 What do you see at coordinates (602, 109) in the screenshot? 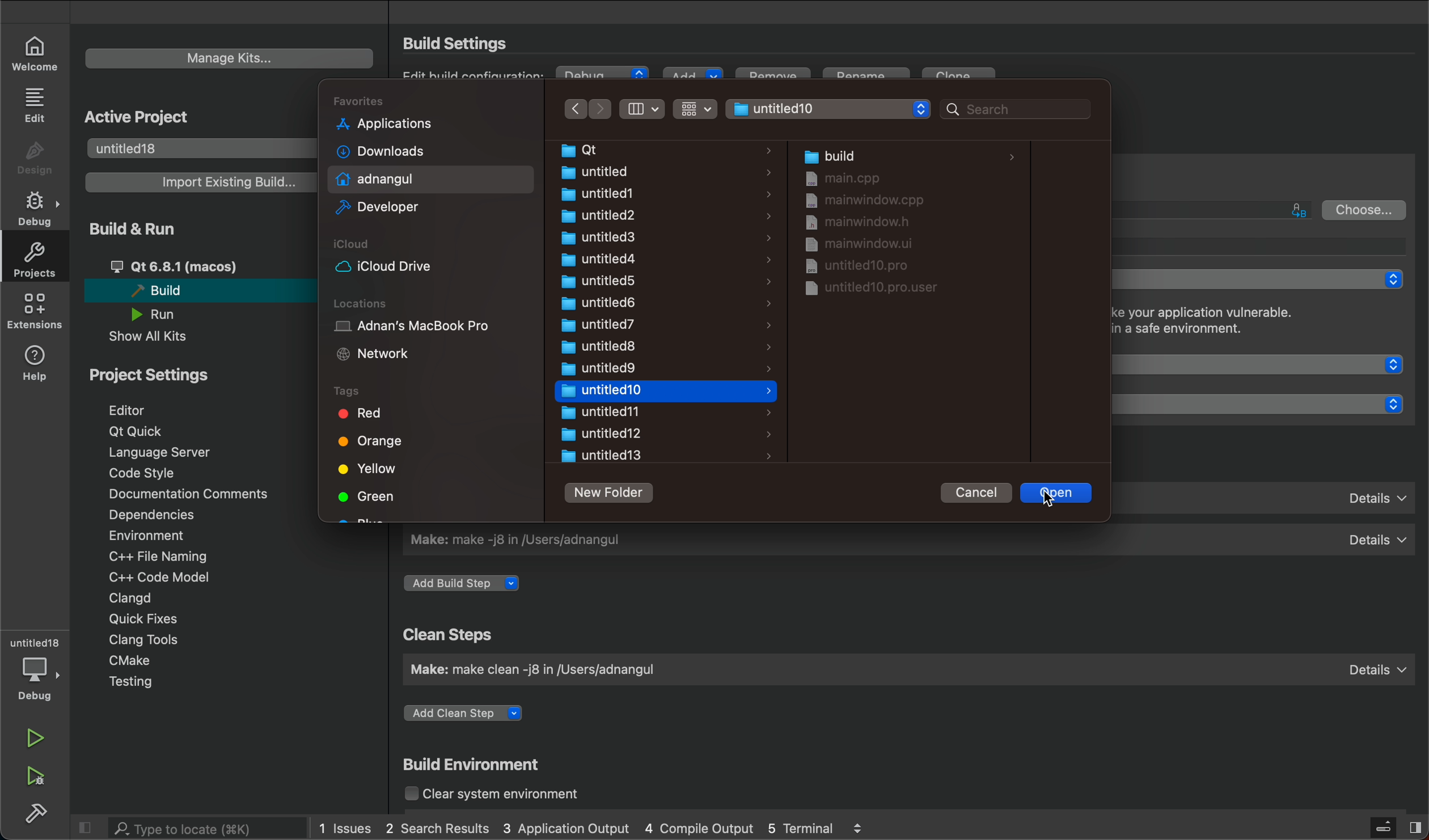
I see `next` at bounding box center [602, 109].